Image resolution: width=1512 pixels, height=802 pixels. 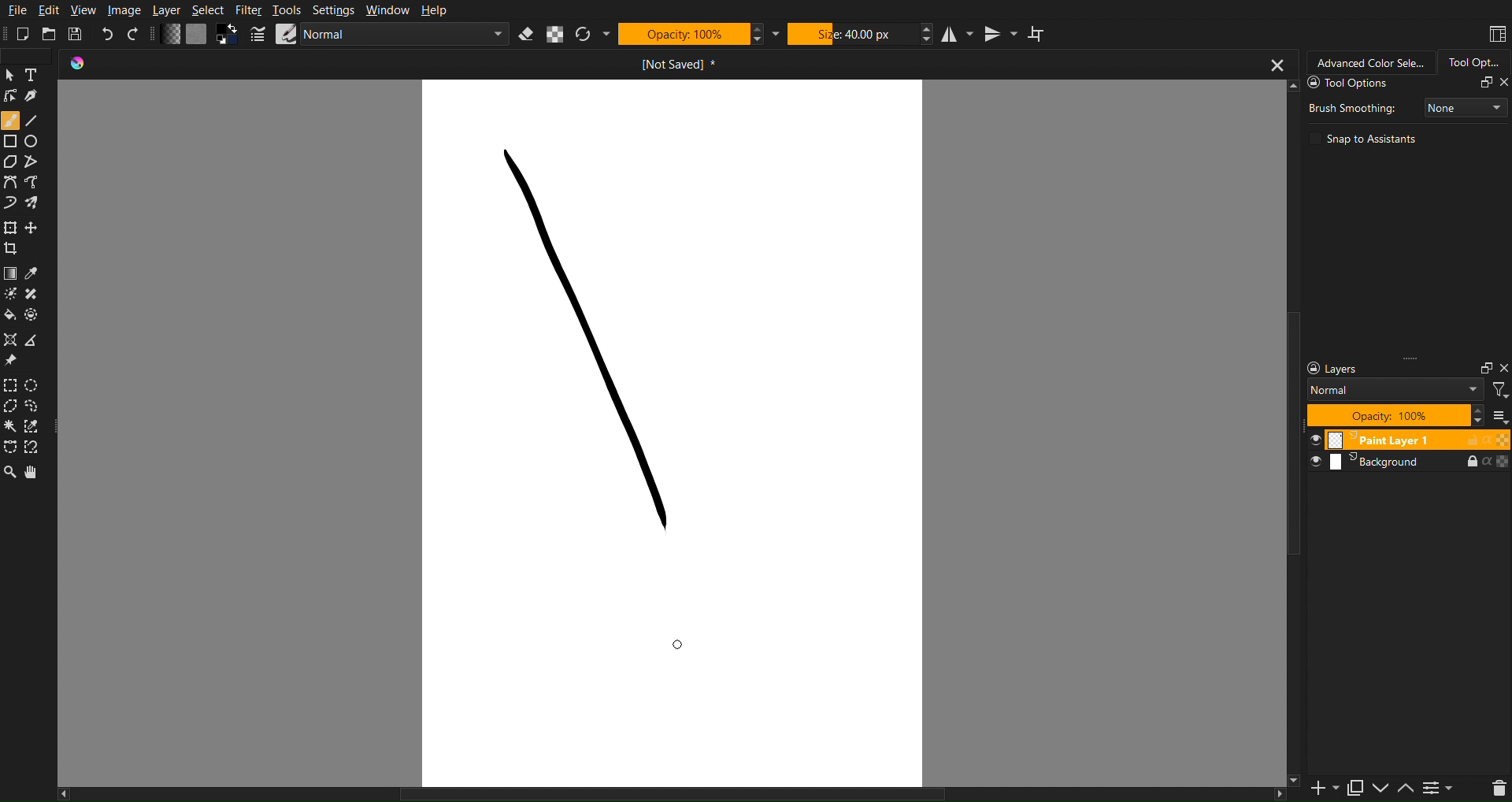 I want to click on Convert Point, so click(x=38, y=340).